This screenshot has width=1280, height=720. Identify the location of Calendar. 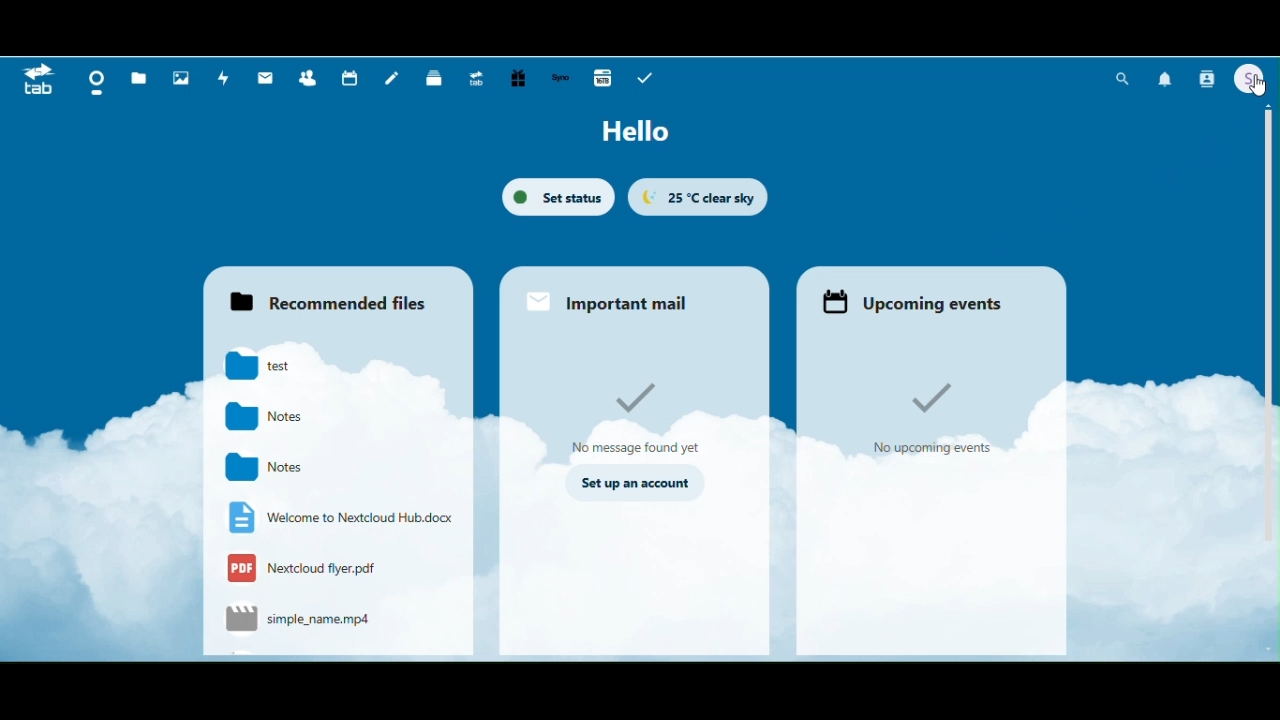
(349, 78).